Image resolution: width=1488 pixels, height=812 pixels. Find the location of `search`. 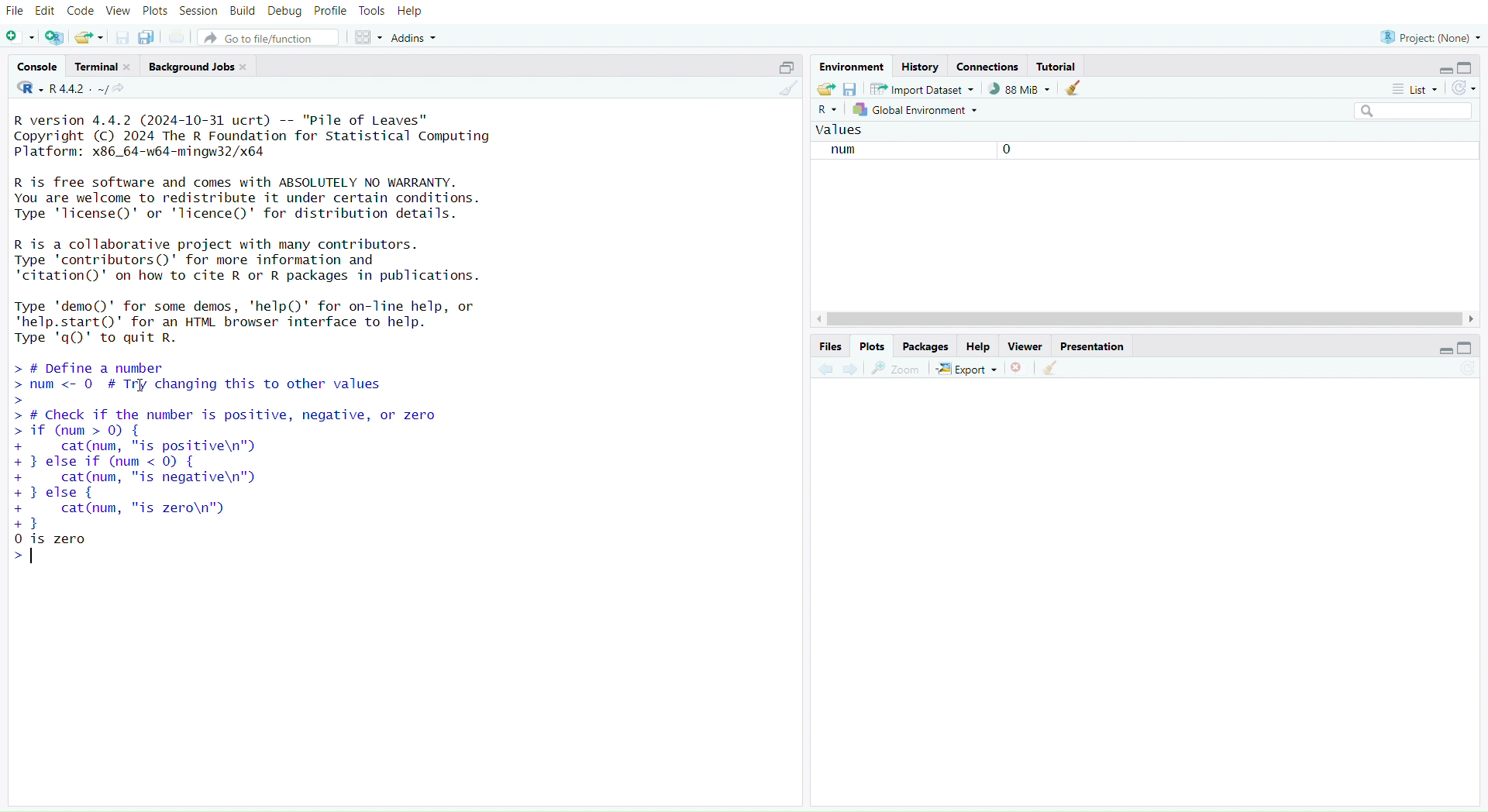

search is located at coordinates (1406, 112).